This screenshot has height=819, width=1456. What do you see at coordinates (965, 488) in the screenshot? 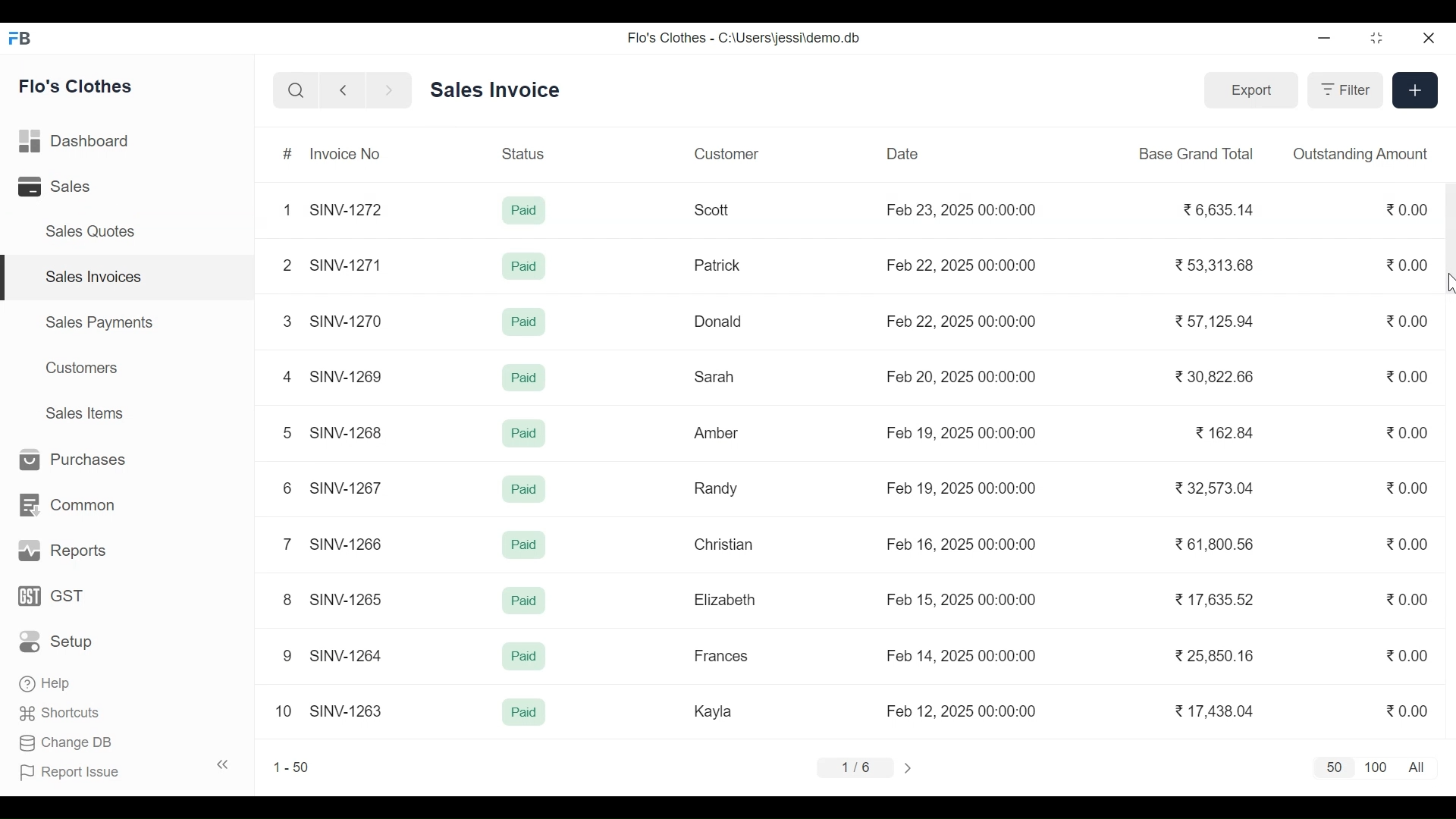
I see `Feb 19, 2025 00:00:00` at bounding box center [965, 488].